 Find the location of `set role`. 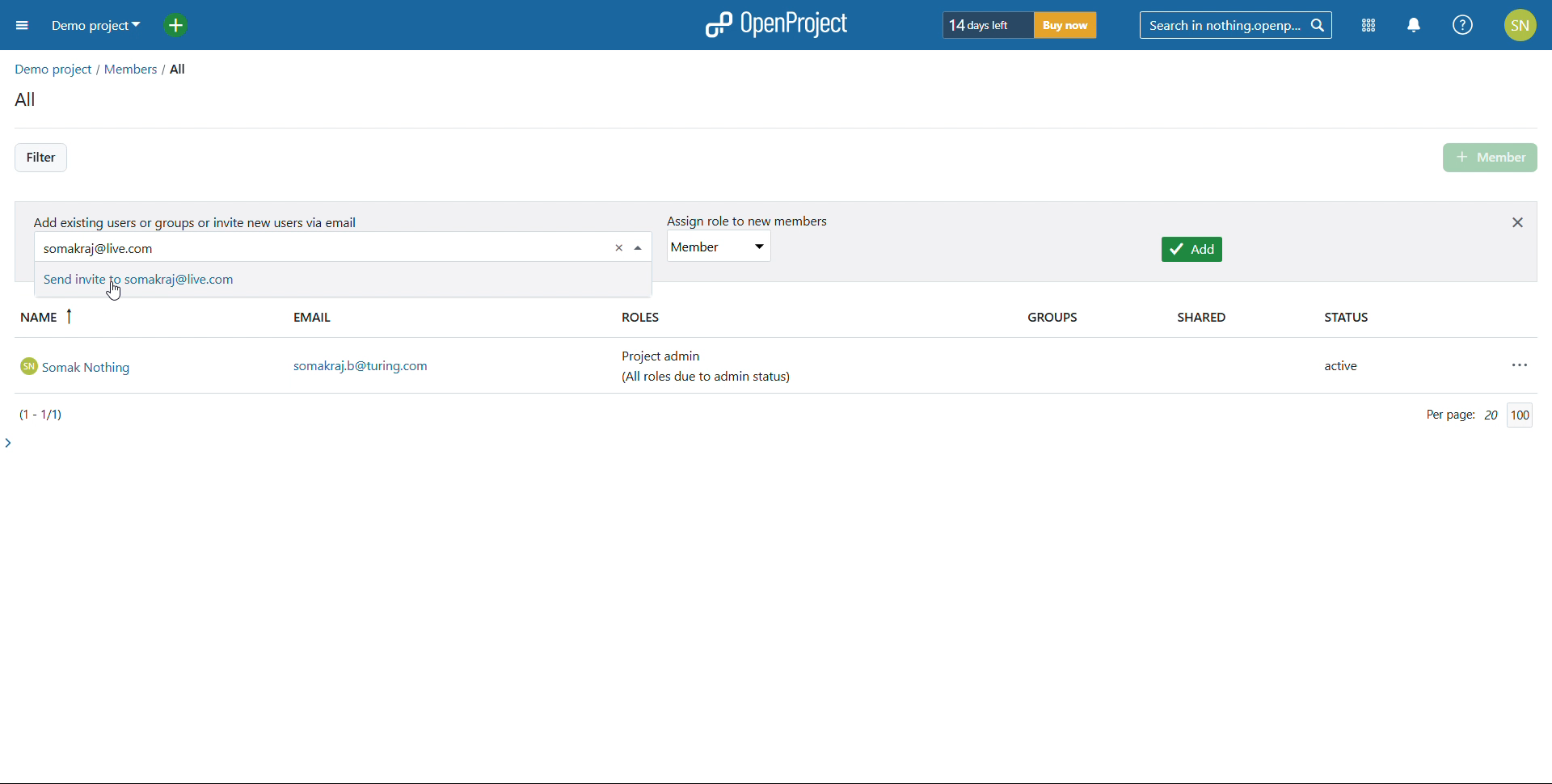

set role is located at coordinates (719, 247).